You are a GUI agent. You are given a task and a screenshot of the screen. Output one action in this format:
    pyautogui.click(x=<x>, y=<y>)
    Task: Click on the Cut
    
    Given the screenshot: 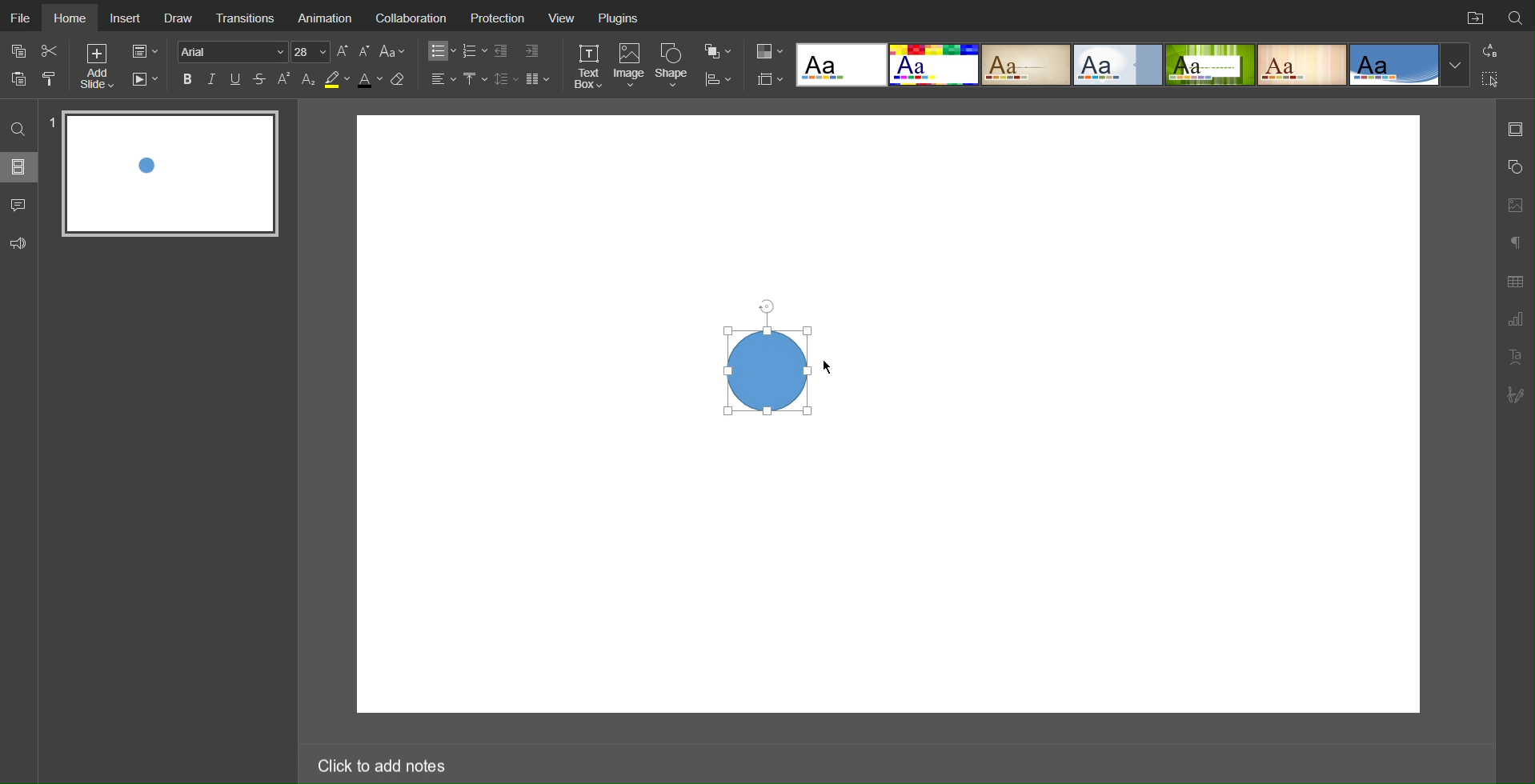 What is the action you would take?
    pyautogui.click(x=51, y=50)
    